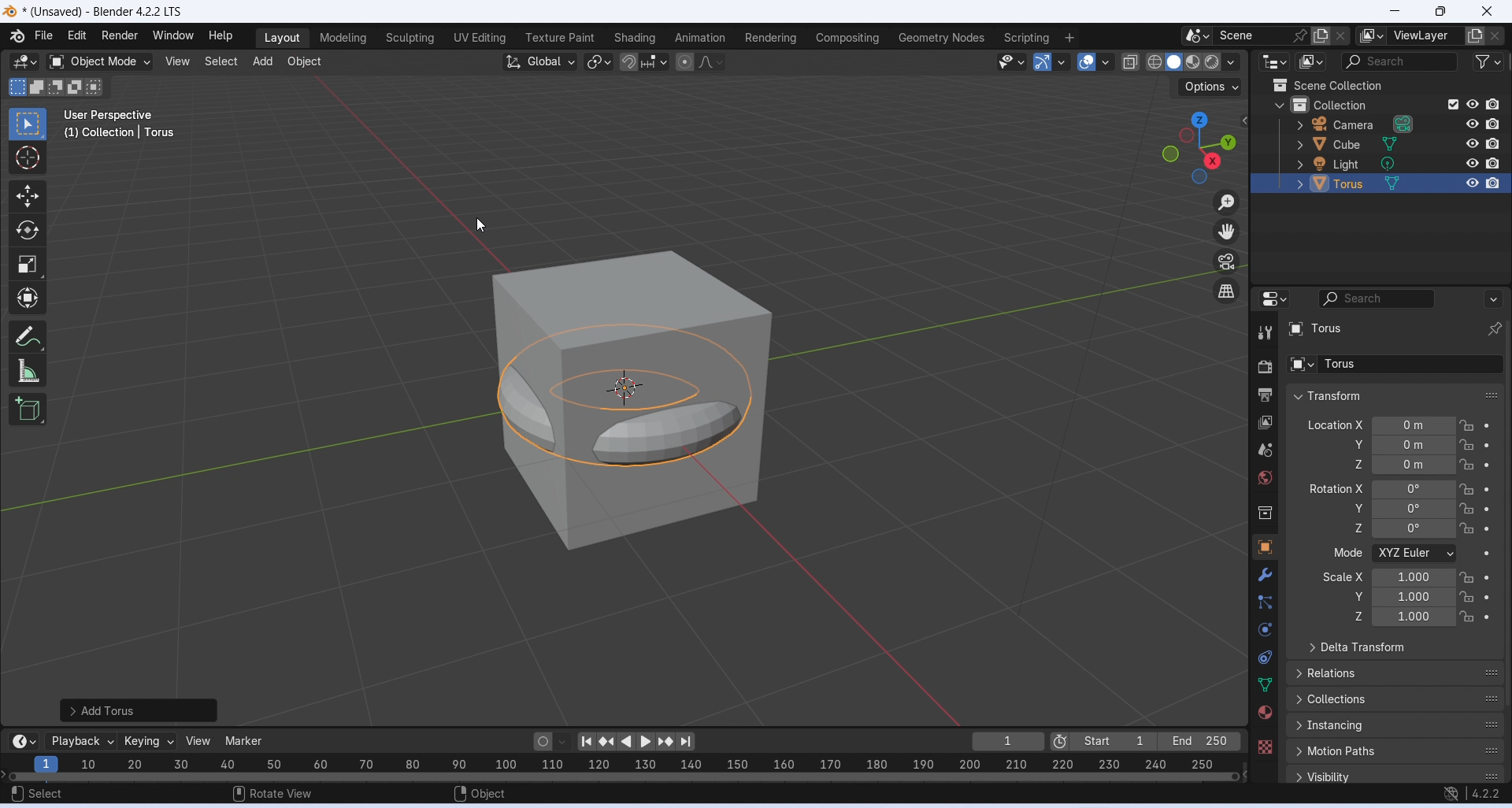  I want to click on Editor type, so click(1277, 61).